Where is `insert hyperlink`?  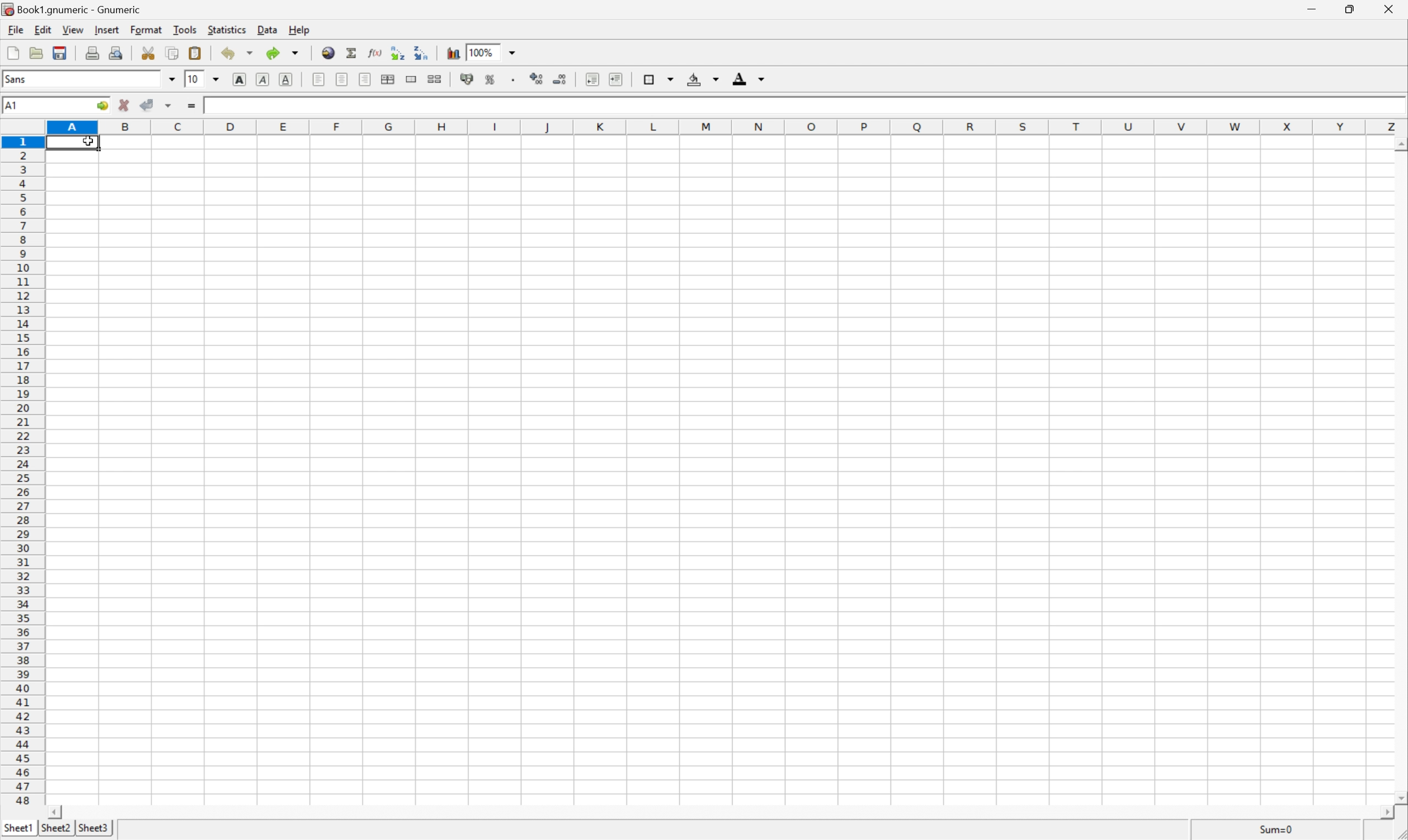 insert hyperlink is located at coordinates (327, 52).